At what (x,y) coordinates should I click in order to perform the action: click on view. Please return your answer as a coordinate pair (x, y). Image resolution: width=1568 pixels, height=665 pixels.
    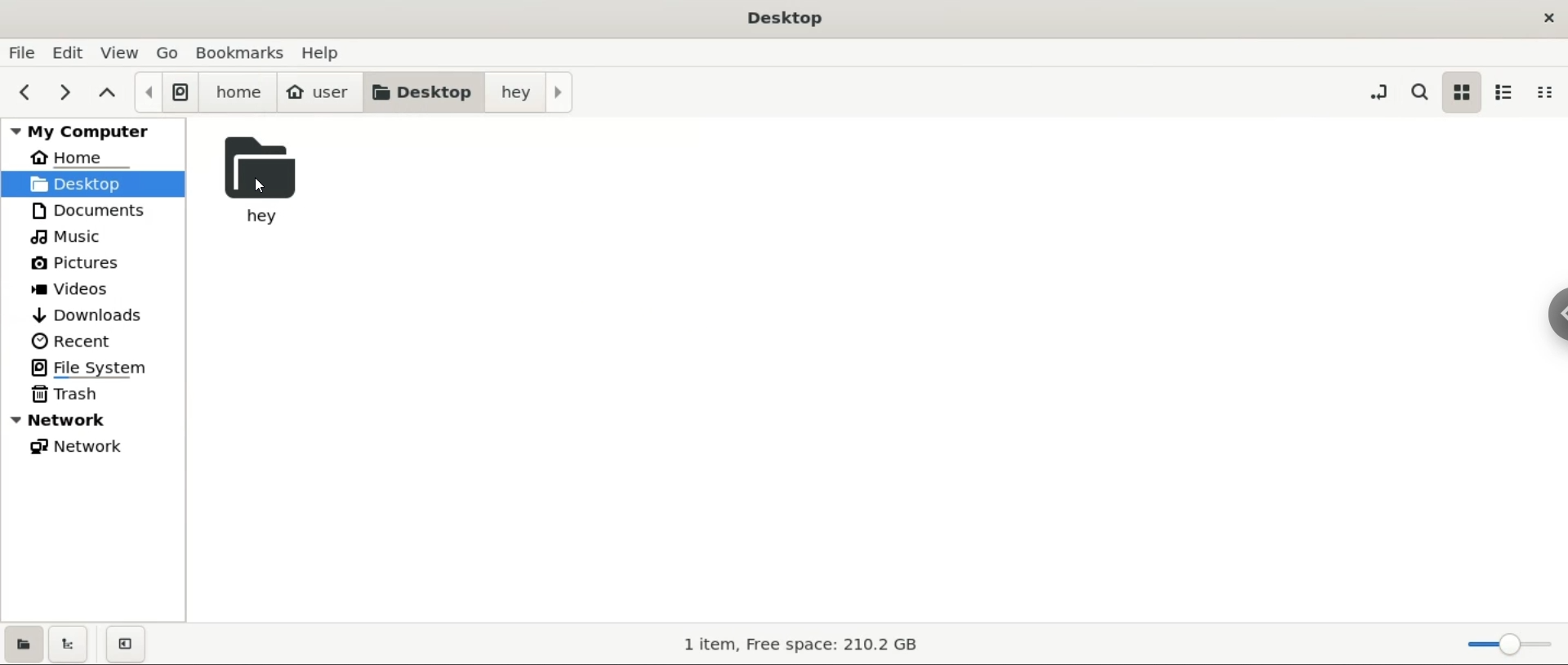
    Looking at the image, I should click on (122, 51).